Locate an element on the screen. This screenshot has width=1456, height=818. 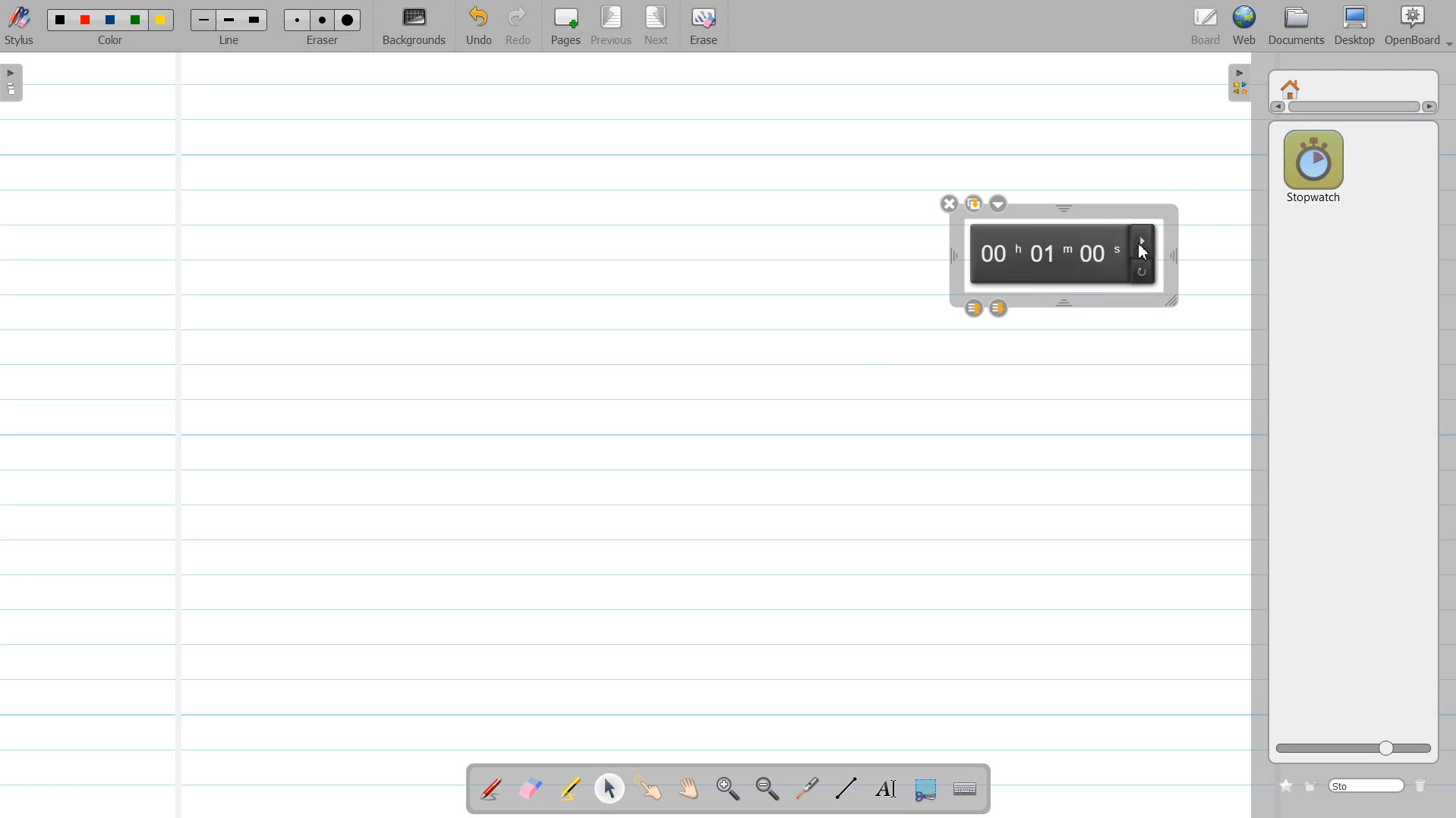
Drop down box is located at coordinates (999, 203).